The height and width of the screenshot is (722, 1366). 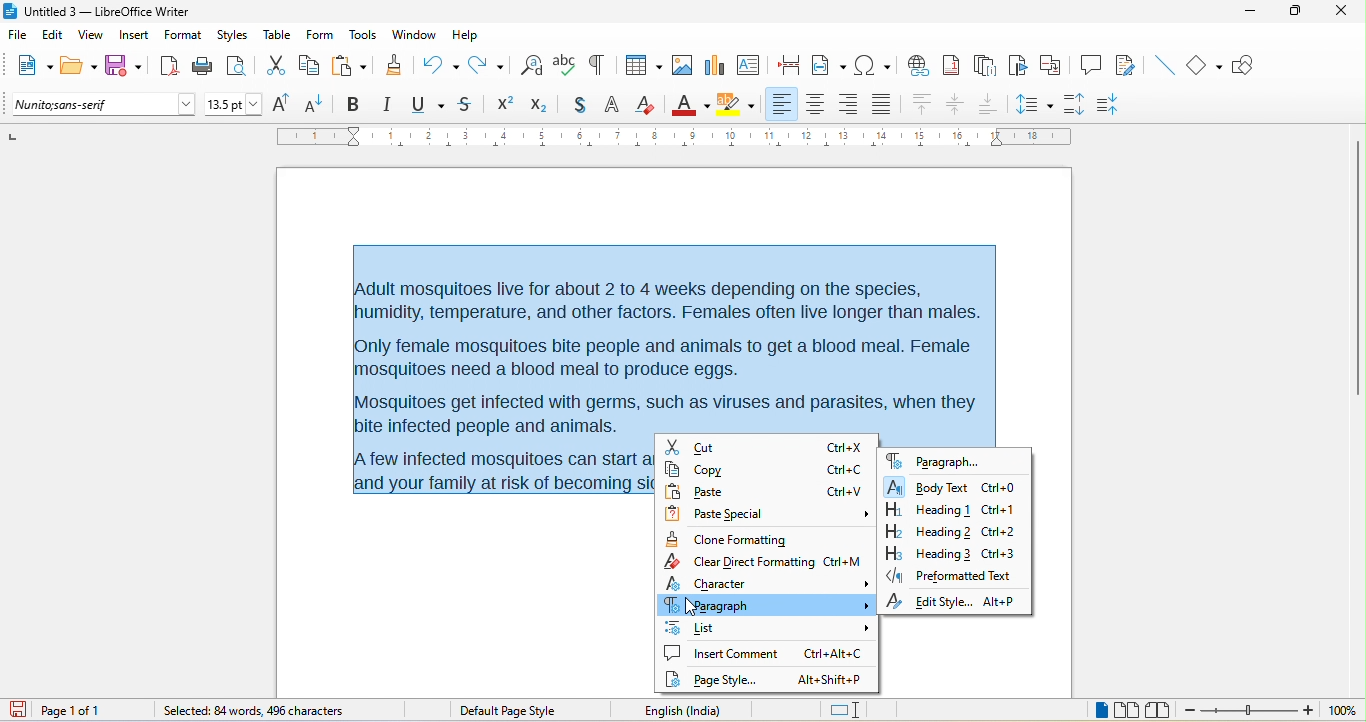 What do you see at coordinates (917, 63) in the screenshot?
I see `hyperlink` at bounding box center [917, 63].